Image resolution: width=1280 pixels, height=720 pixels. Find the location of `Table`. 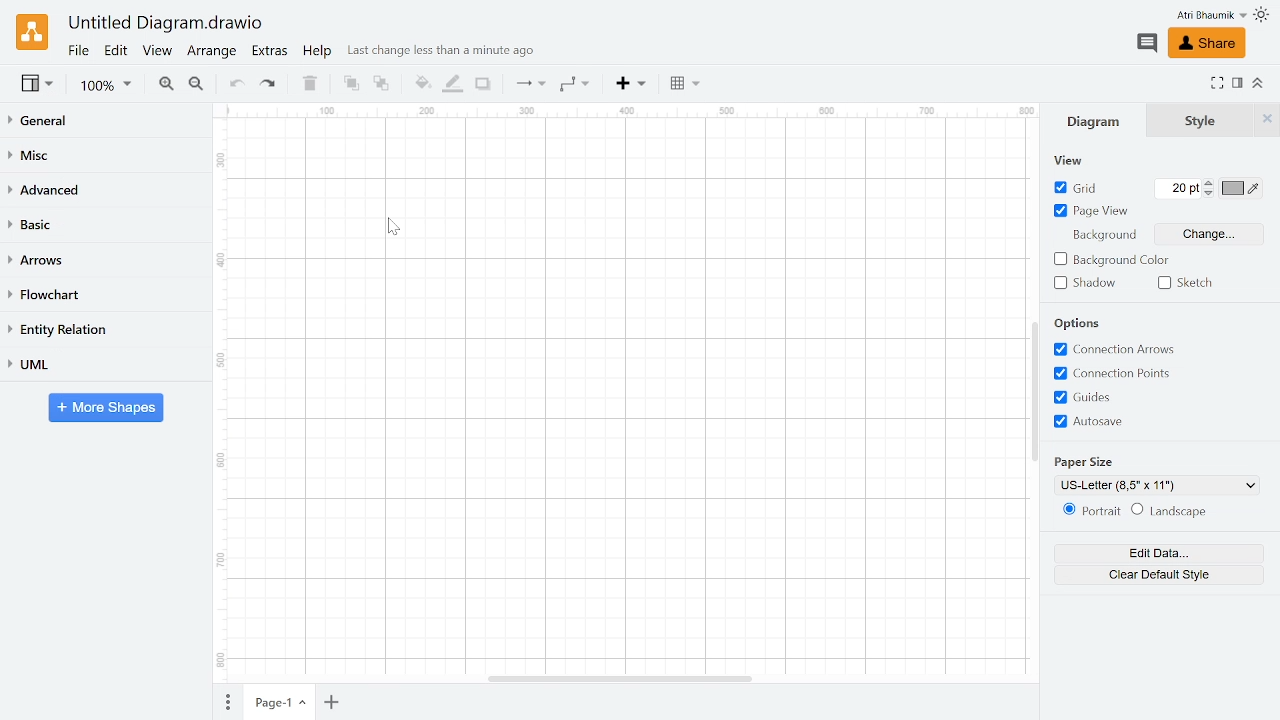

Table is located at coordinates (682, 83).